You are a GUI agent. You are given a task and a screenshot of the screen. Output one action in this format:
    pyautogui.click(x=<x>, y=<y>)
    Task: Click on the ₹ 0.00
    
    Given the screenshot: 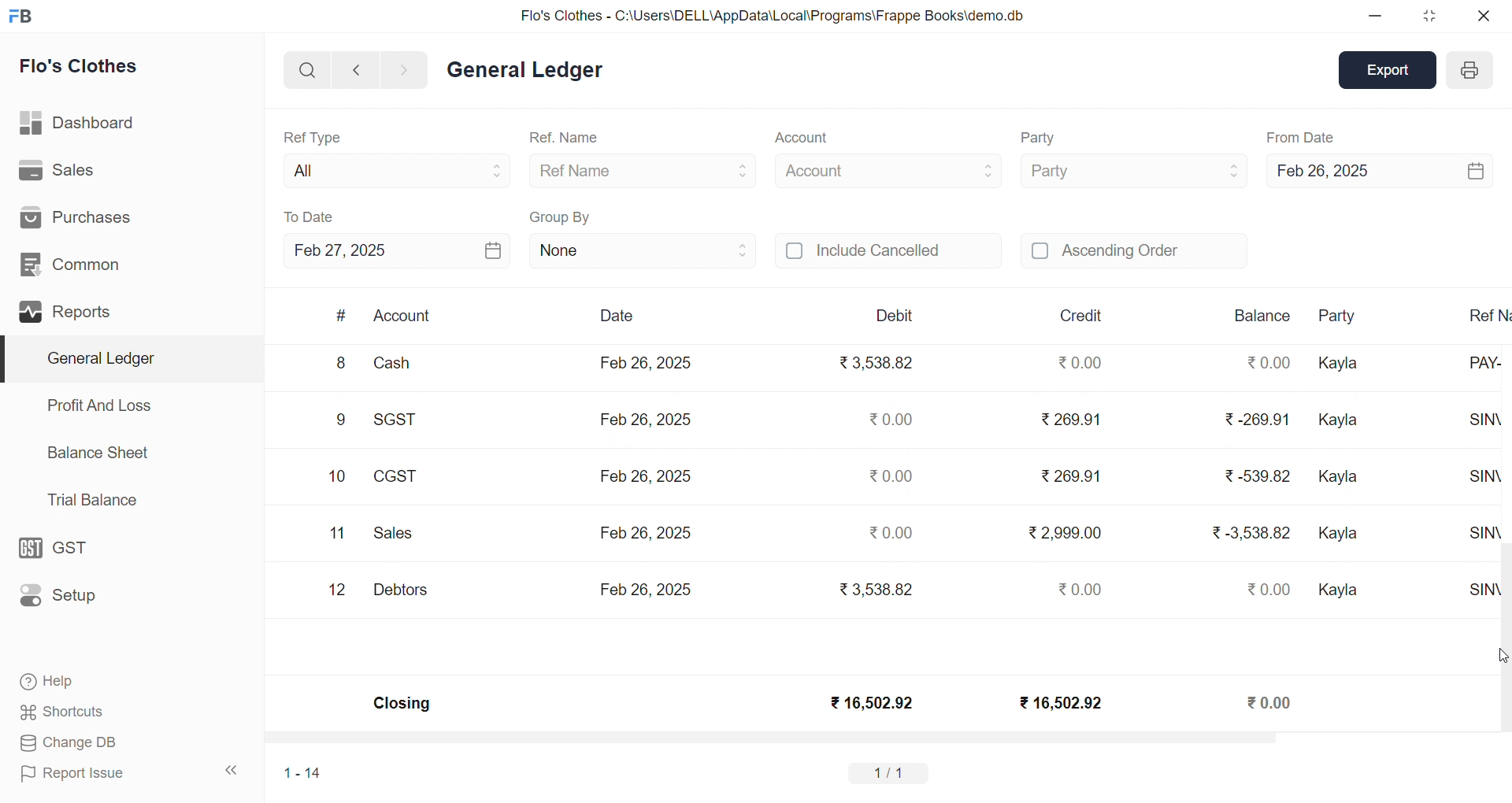 What is the action you would take?
    pyautogui.click(x=1266, y=362)
    